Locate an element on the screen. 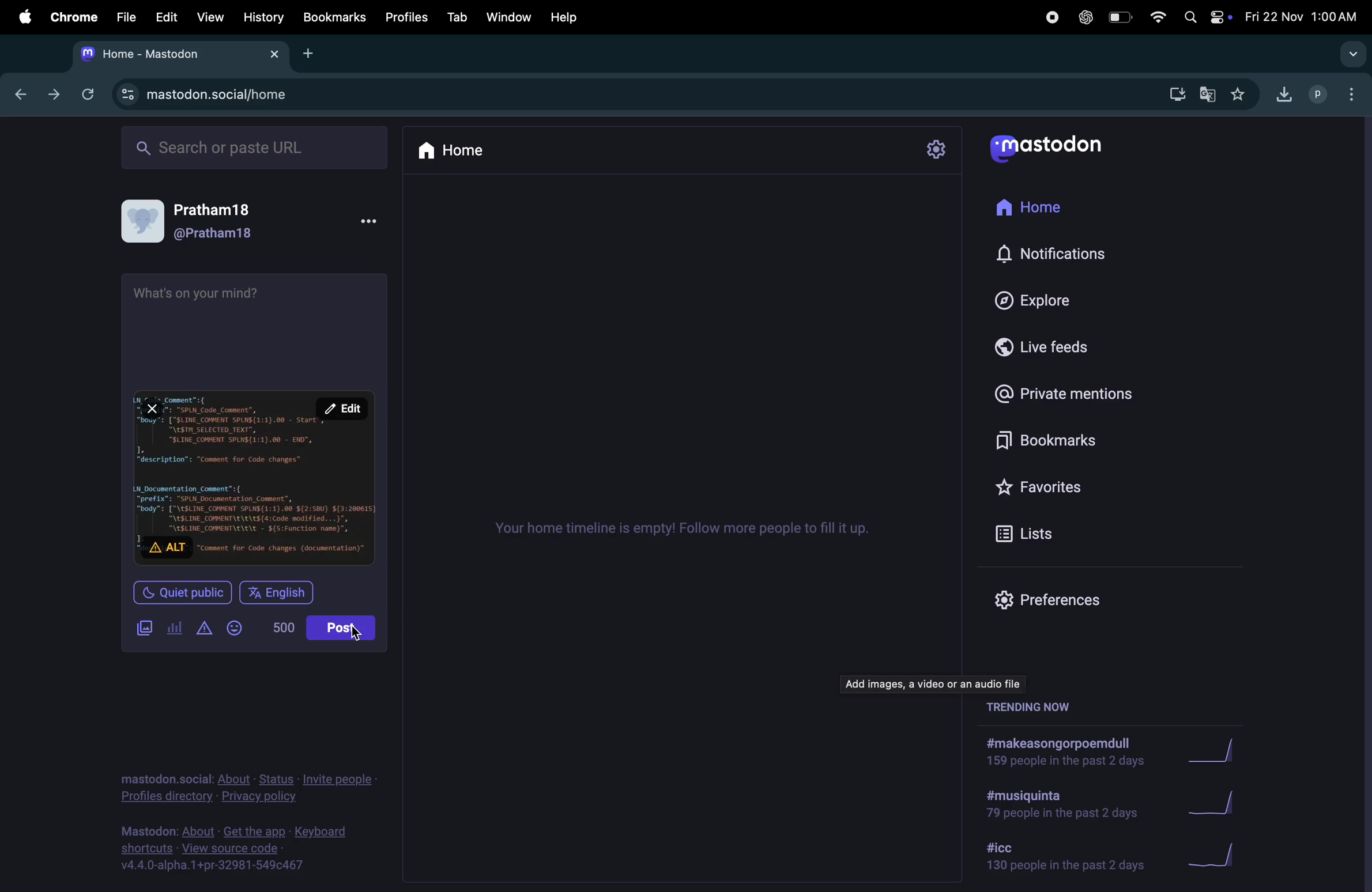 The image size is (1372, 892). live feeds is located at coordinates (1064, 347).